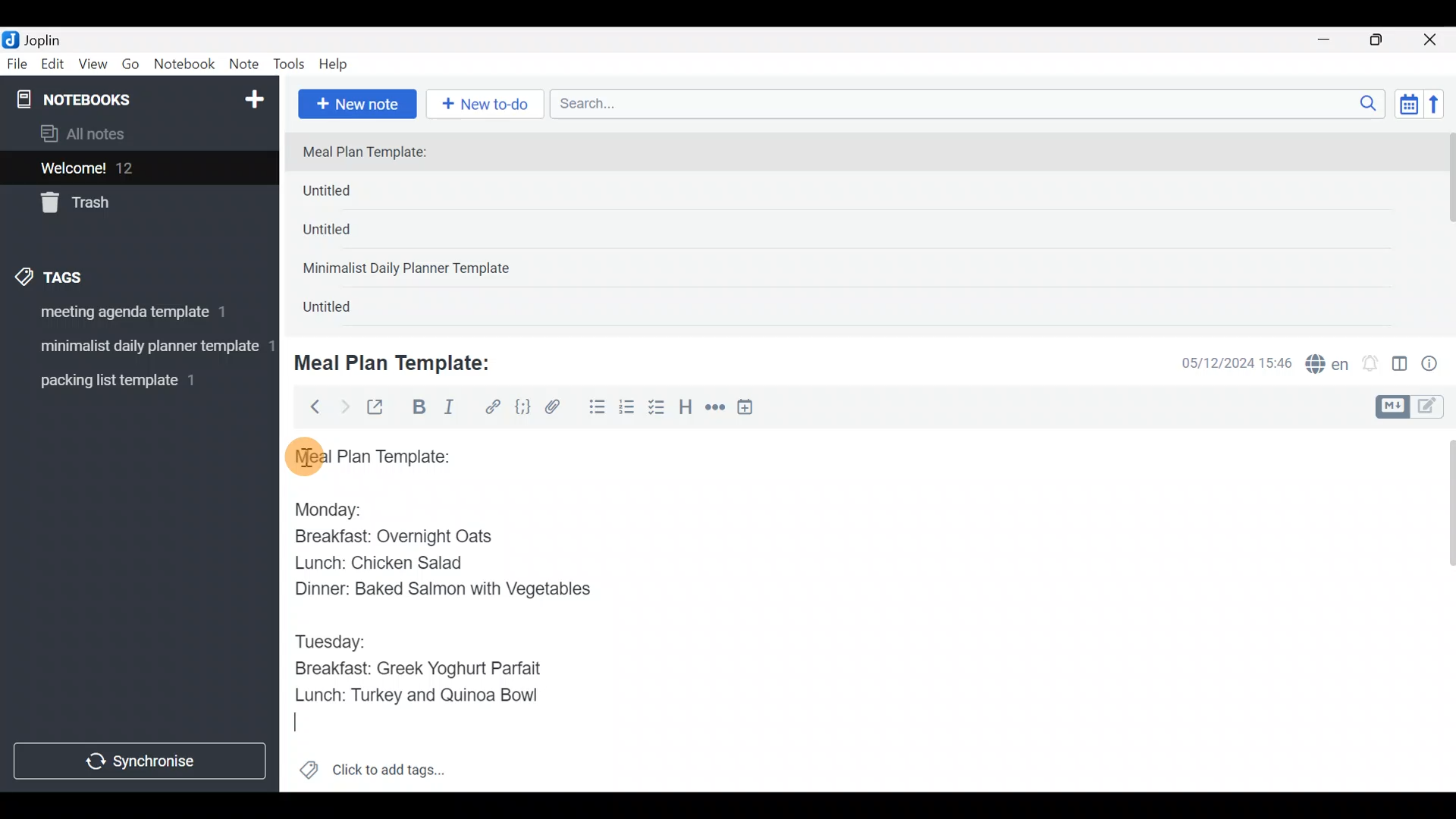  What do you see at coordinates (318, 507) in the screenshot?
I see `Monday:` at bounding box center [318, 507].